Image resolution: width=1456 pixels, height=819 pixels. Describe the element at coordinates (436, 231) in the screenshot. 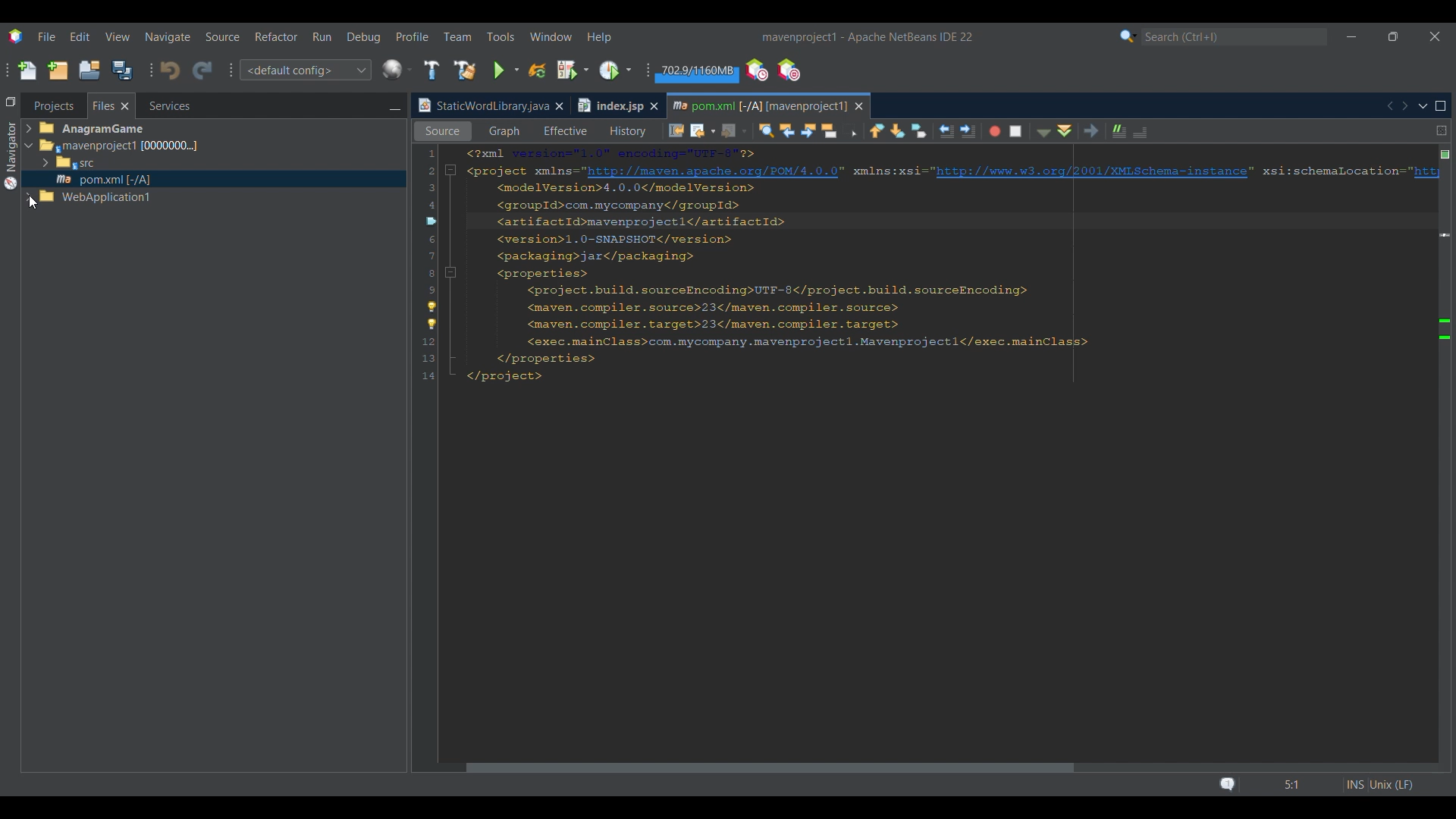

I see `Cursor right clicking ` at that location.